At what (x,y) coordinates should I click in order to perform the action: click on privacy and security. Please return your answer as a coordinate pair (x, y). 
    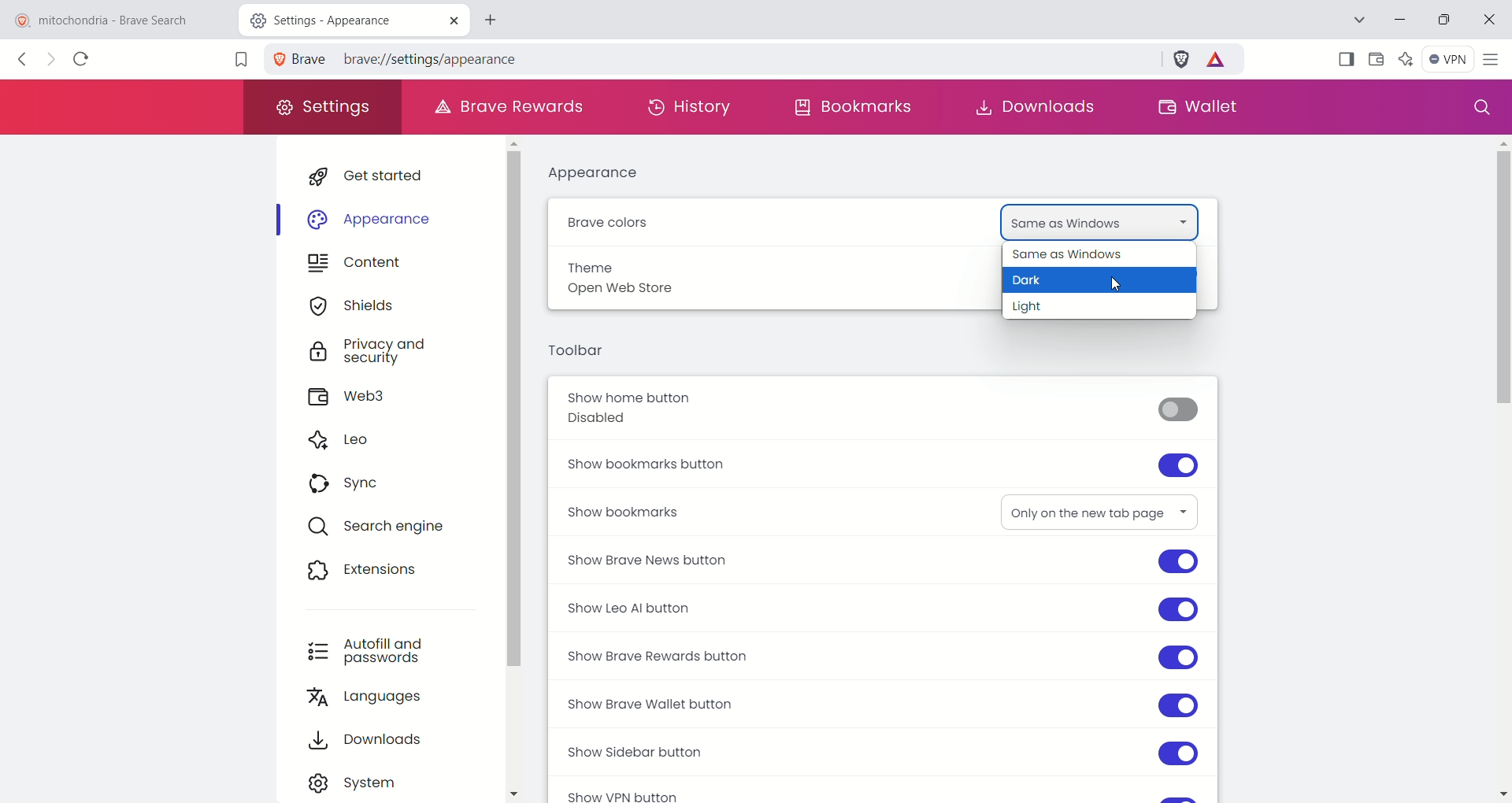
    Looking at the image, I should click on (372, 352).